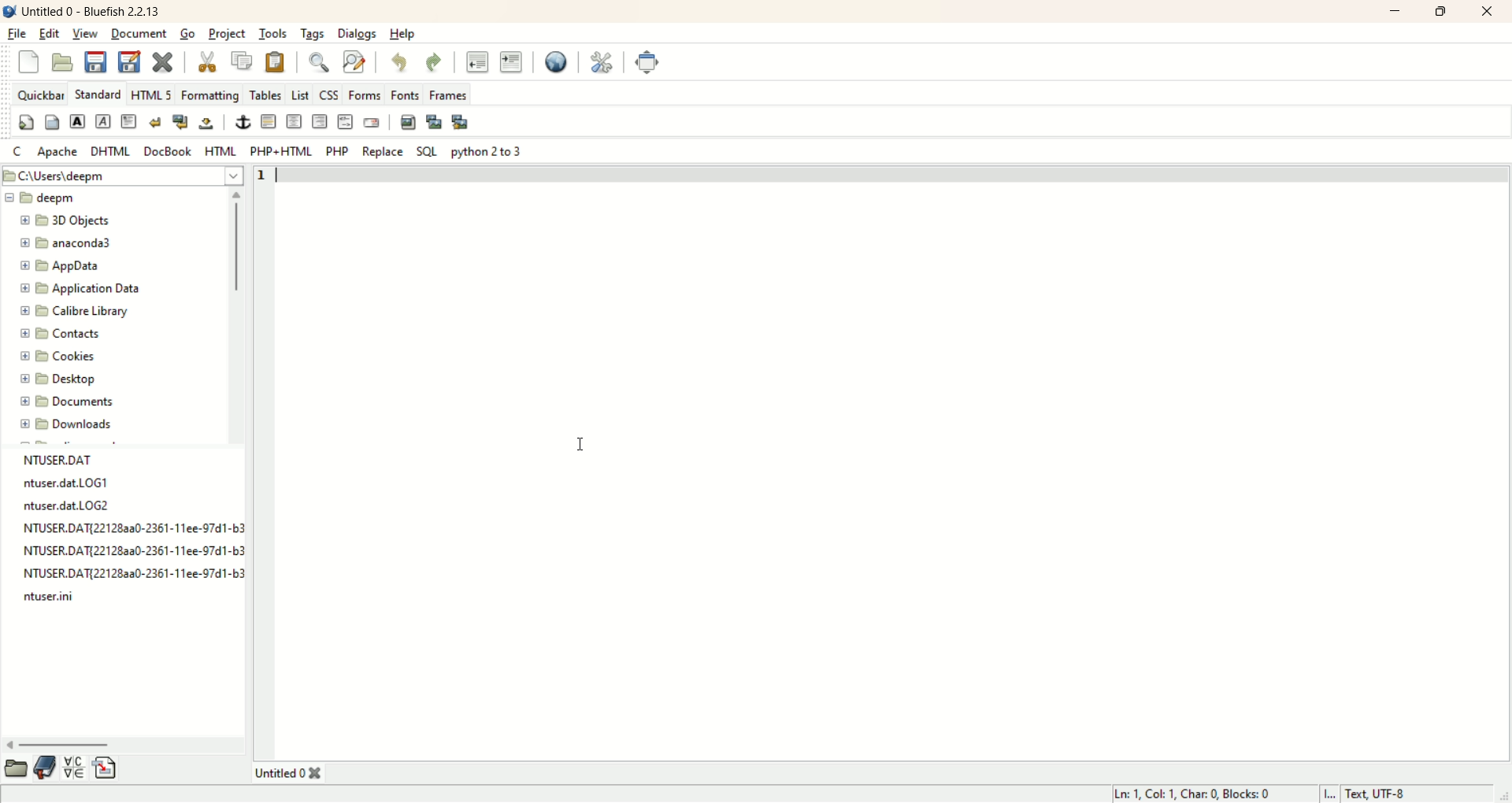  What do you see at coordinates (294, 123) in the screenshot?
I see `center` at bounding box center [294, 123].